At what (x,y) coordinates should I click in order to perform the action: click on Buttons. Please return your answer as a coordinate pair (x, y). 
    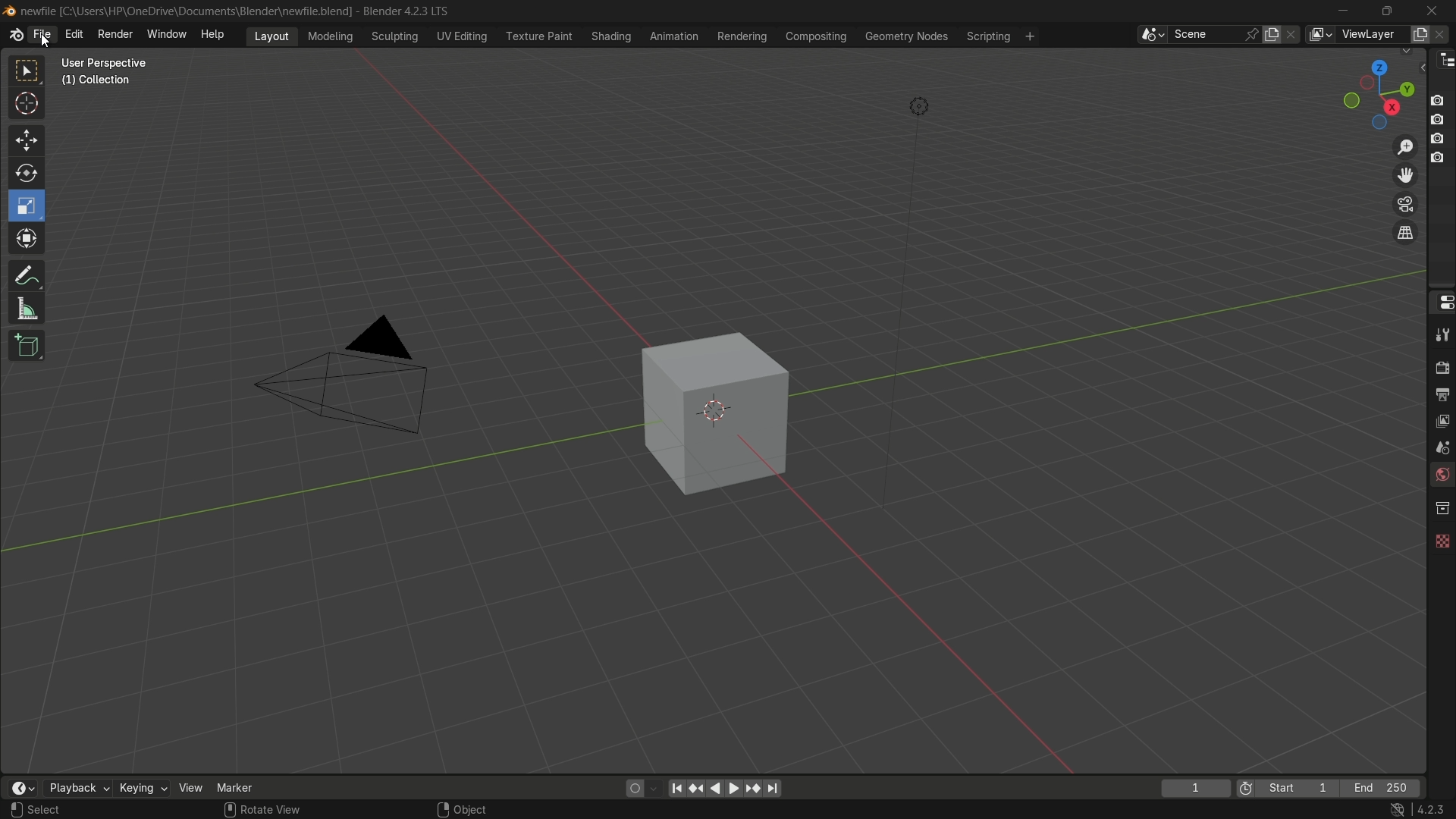
    Looking at the image, I should click on (1443, 127).